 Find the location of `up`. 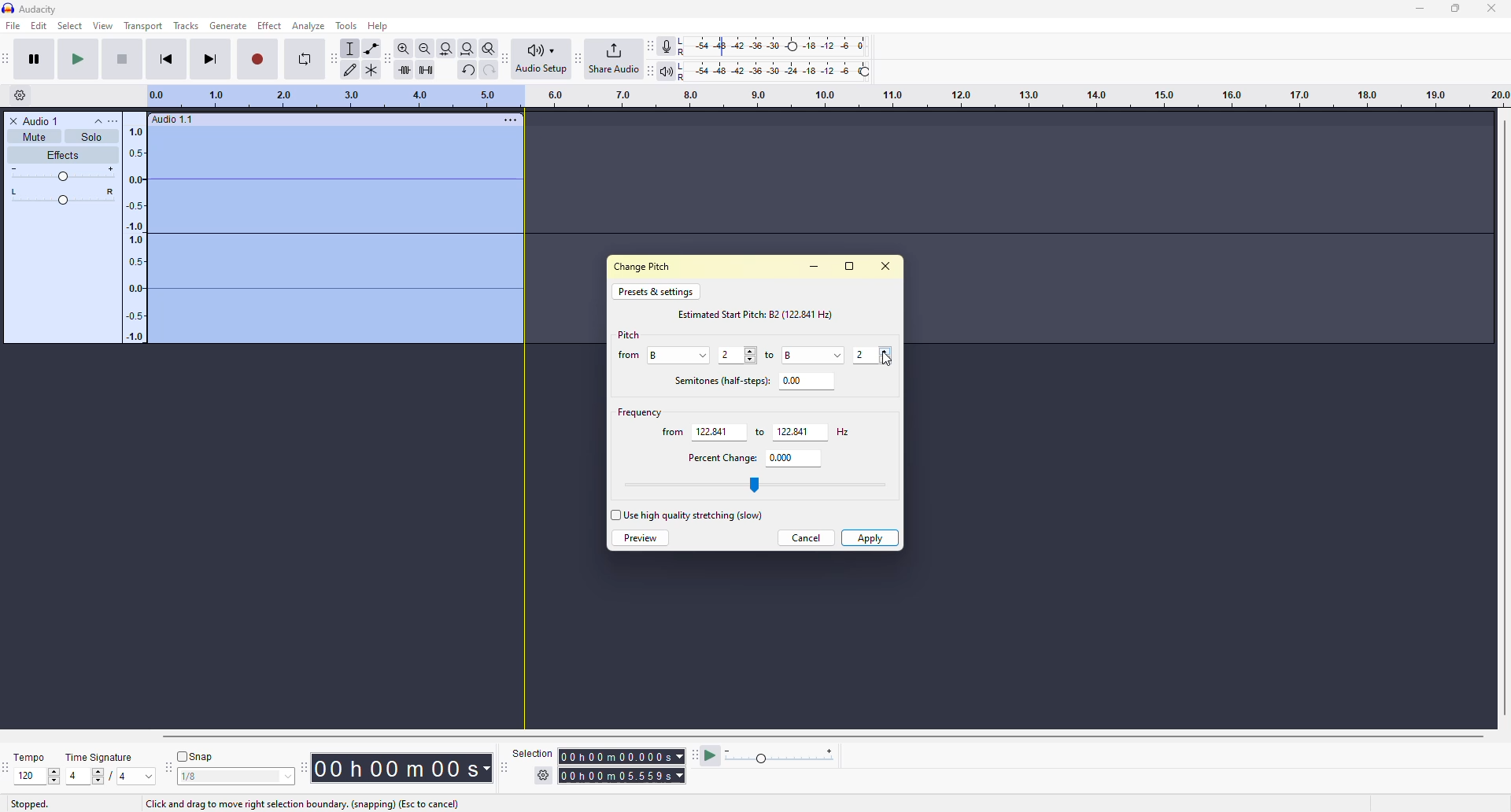

up is located at coordinates (54, 770).